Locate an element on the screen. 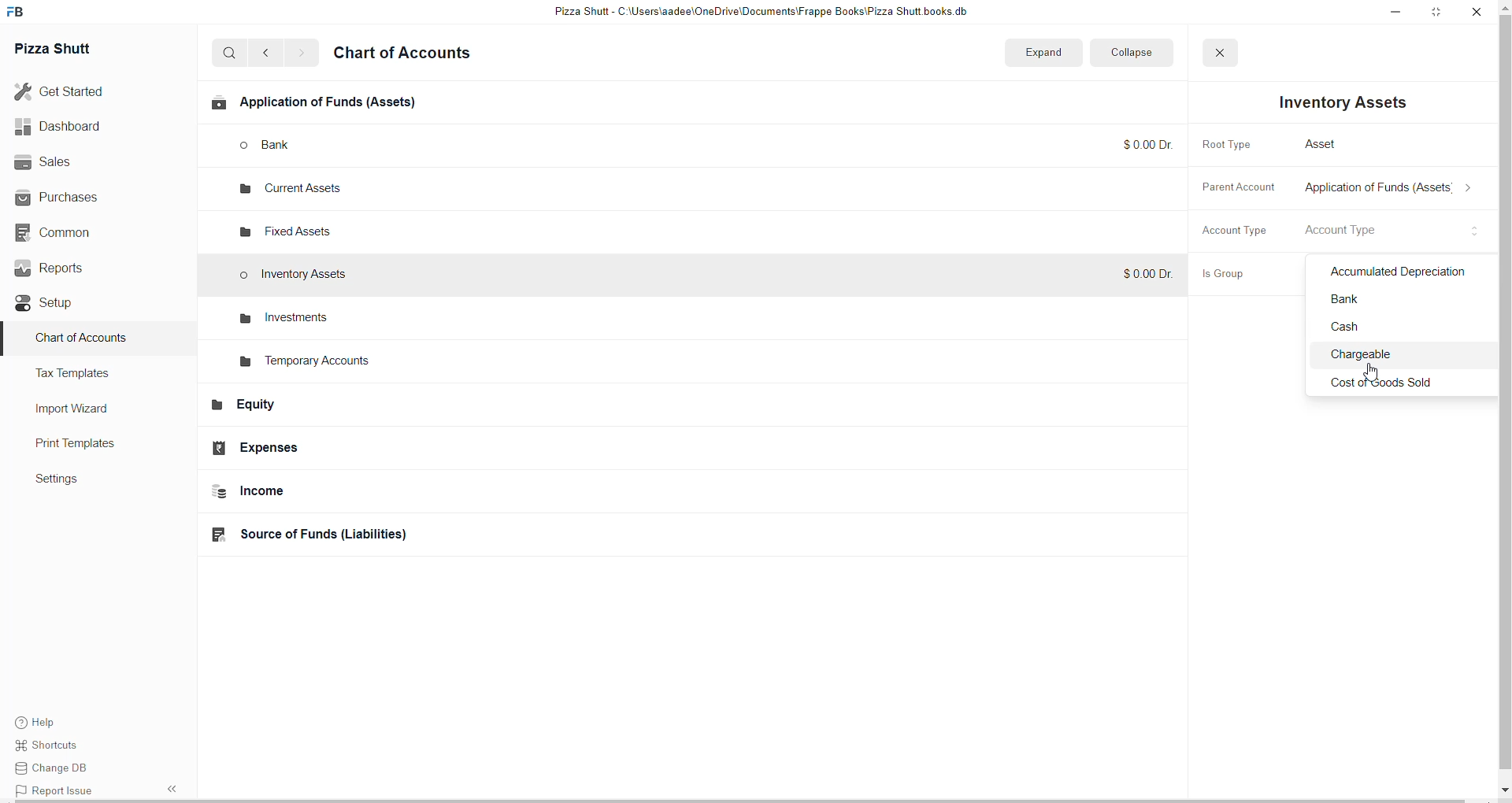 This screenshot has width=1512, height=803. minimize  is located at coordinates (1393, 13).